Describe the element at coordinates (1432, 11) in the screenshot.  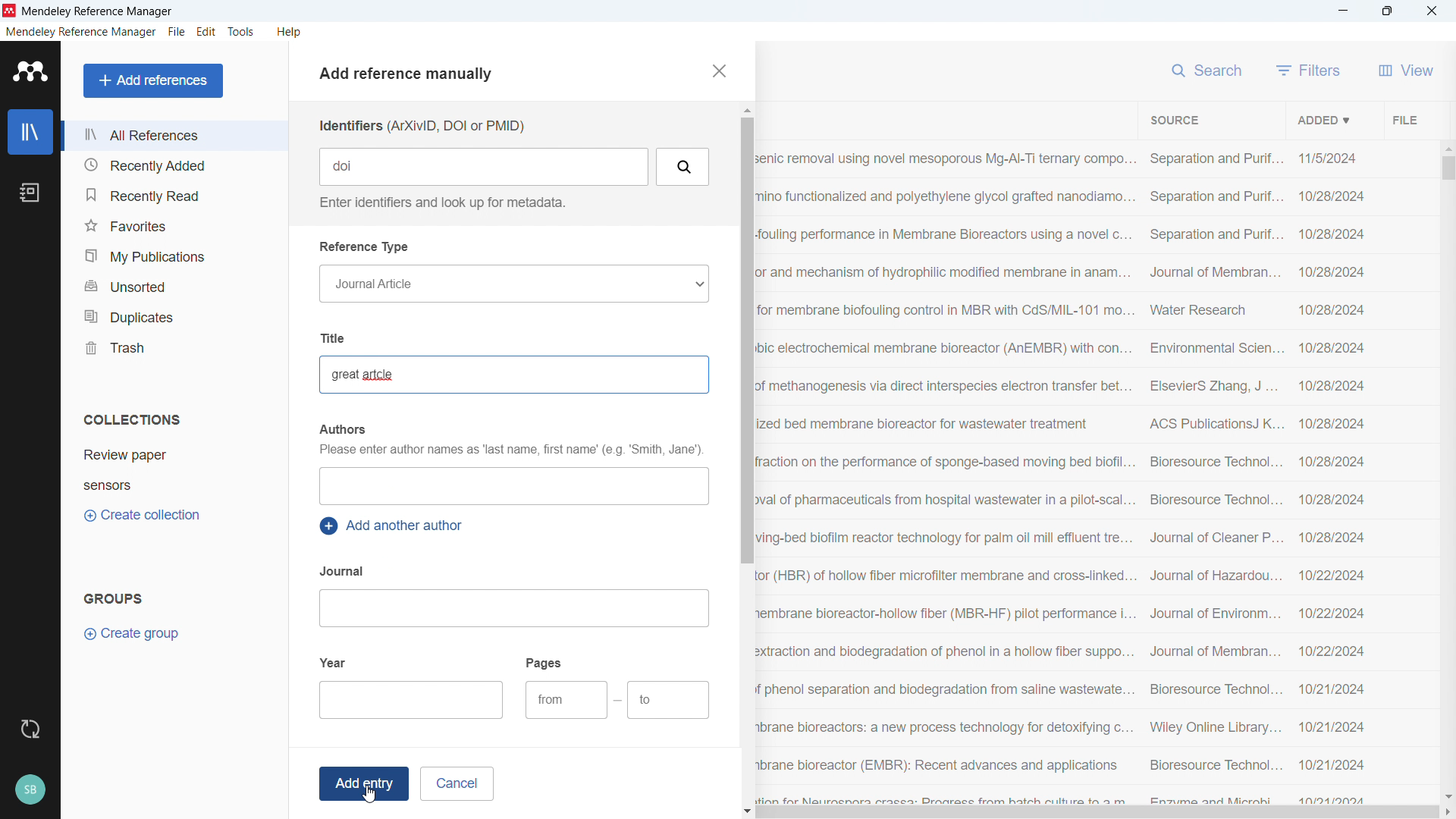
I see `Close` at that location.